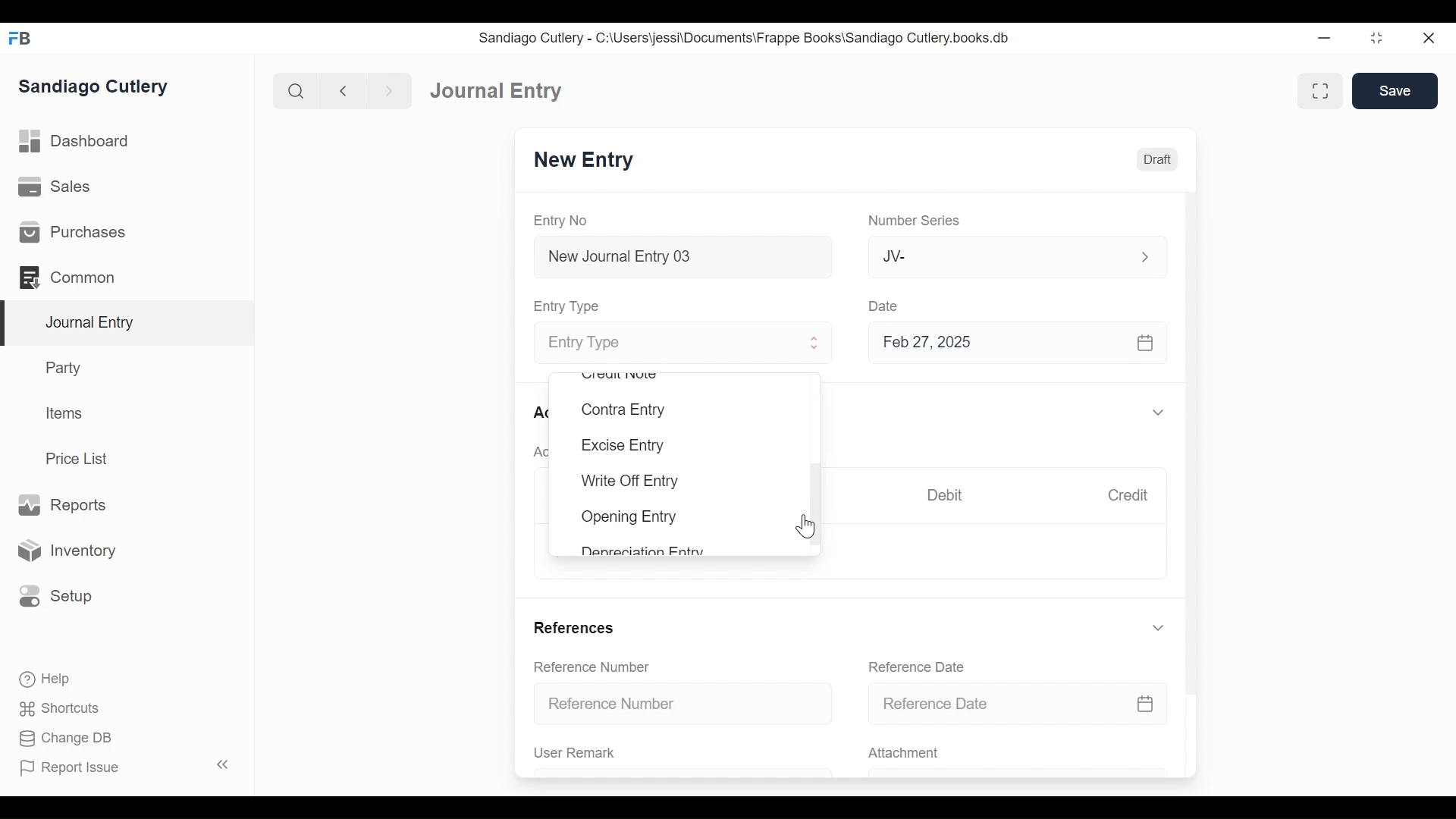 The height and width of the screenshot is (819, 1456). I want to click on Frappe Books Desktop Icon, so click(20, 39).